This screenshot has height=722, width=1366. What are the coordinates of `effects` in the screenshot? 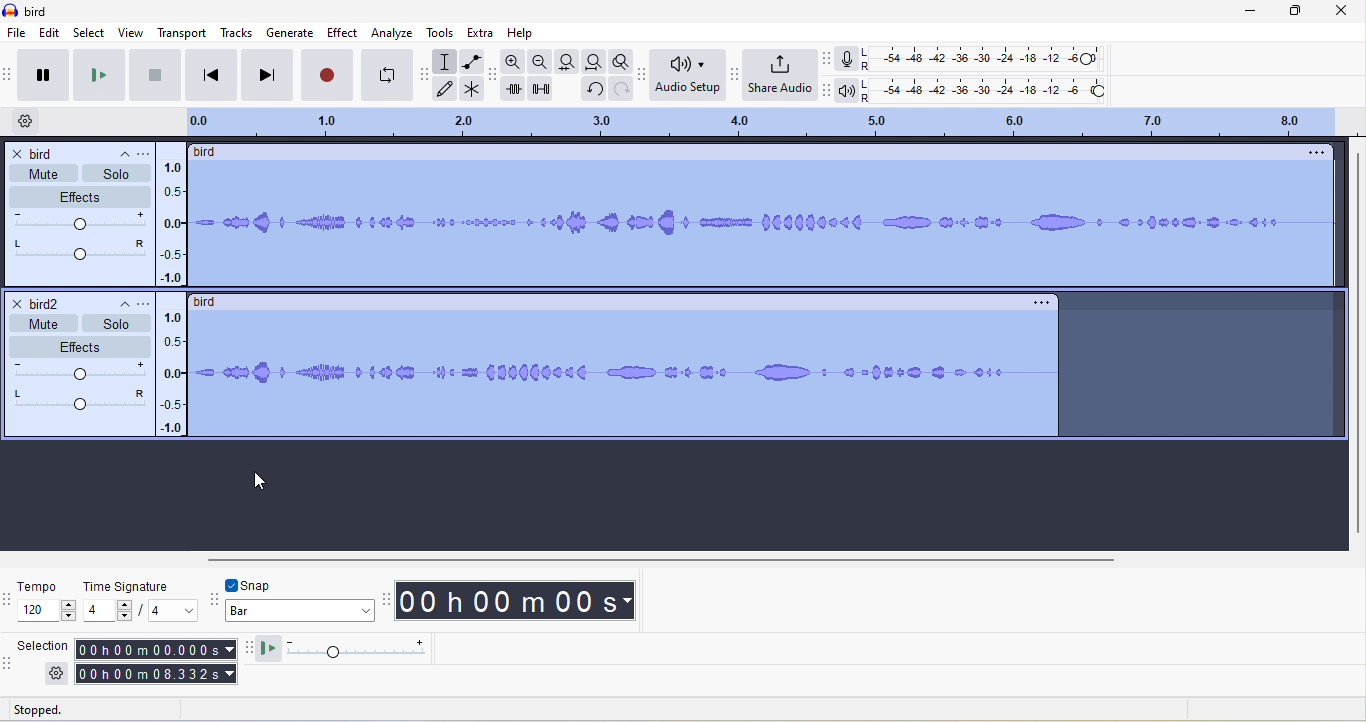 It's located at (80, 196).